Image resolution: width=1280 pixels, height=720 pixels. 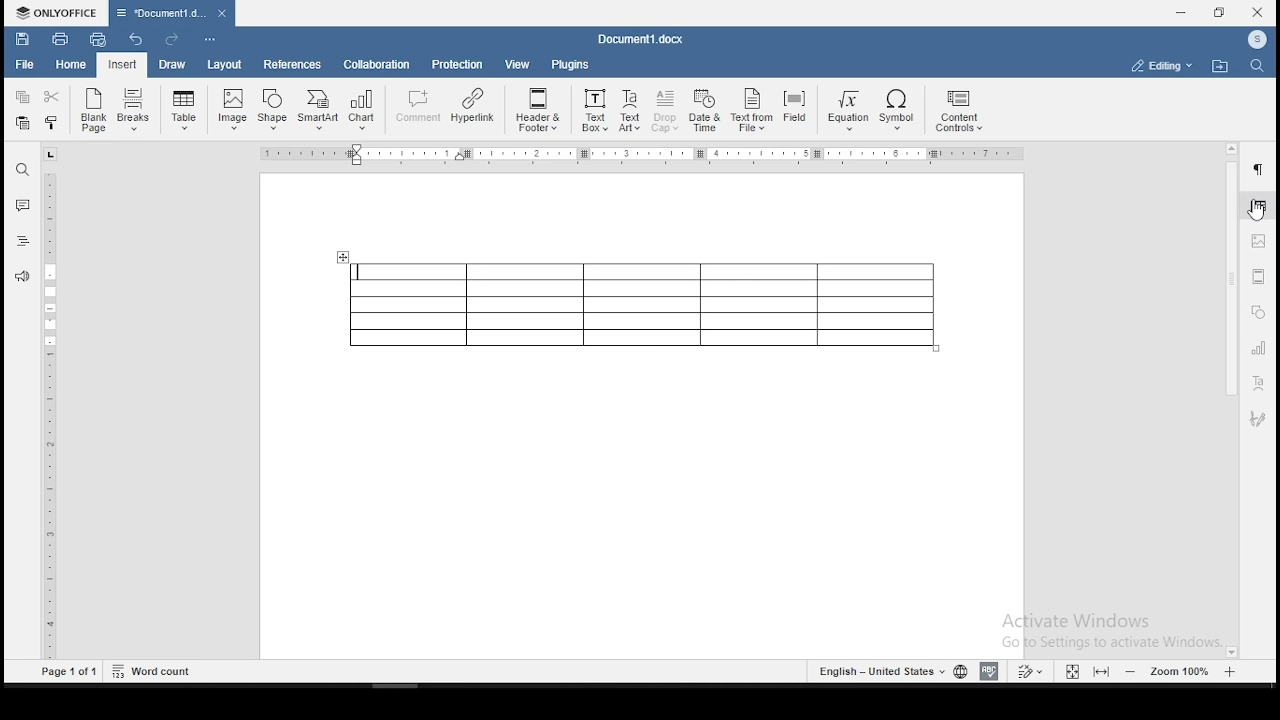 I want to click on charts settings, so click(x=1260, y=348).